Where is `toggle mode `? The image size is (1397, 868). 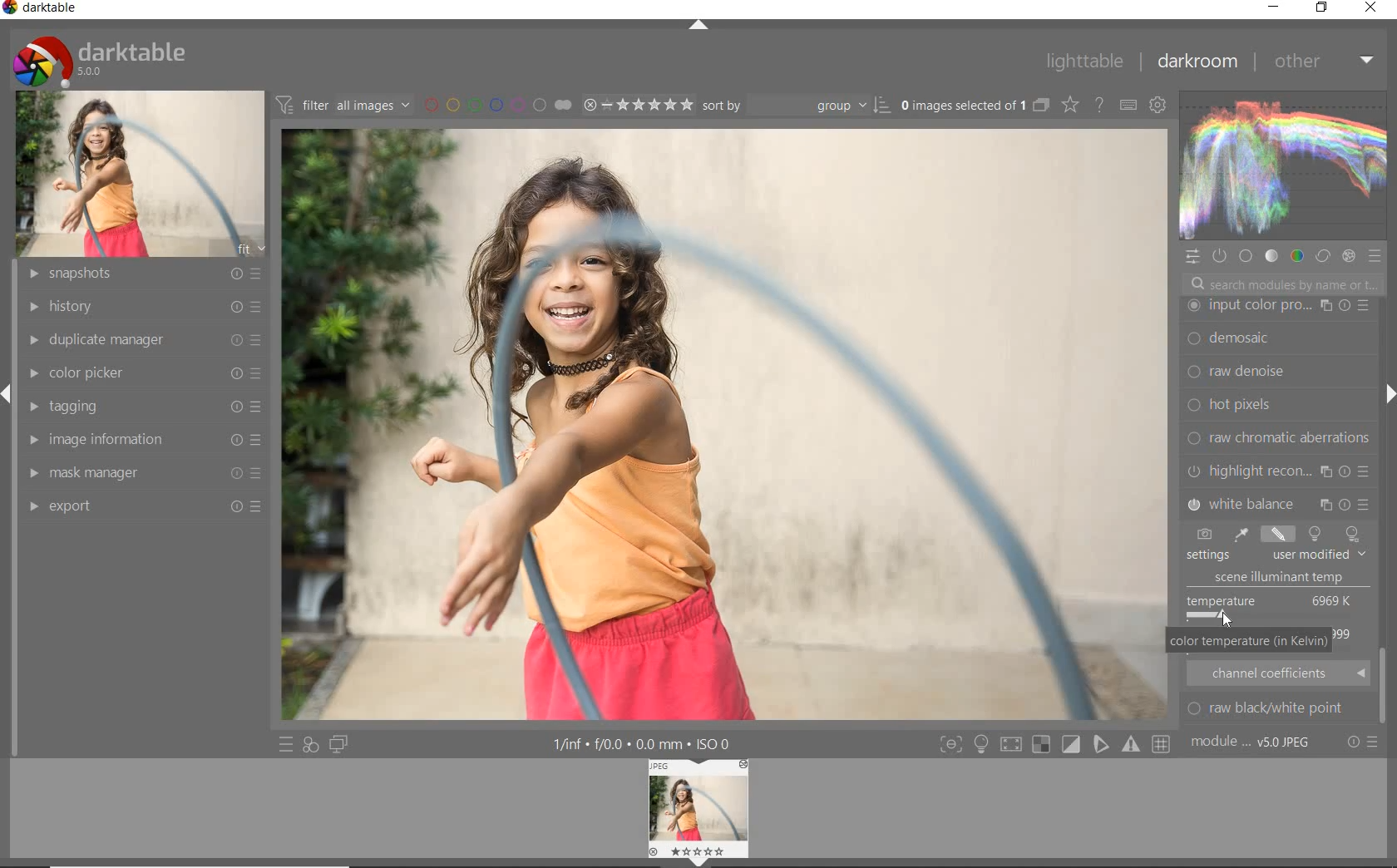 toggle mode  is located at coordinates (1163, 744).